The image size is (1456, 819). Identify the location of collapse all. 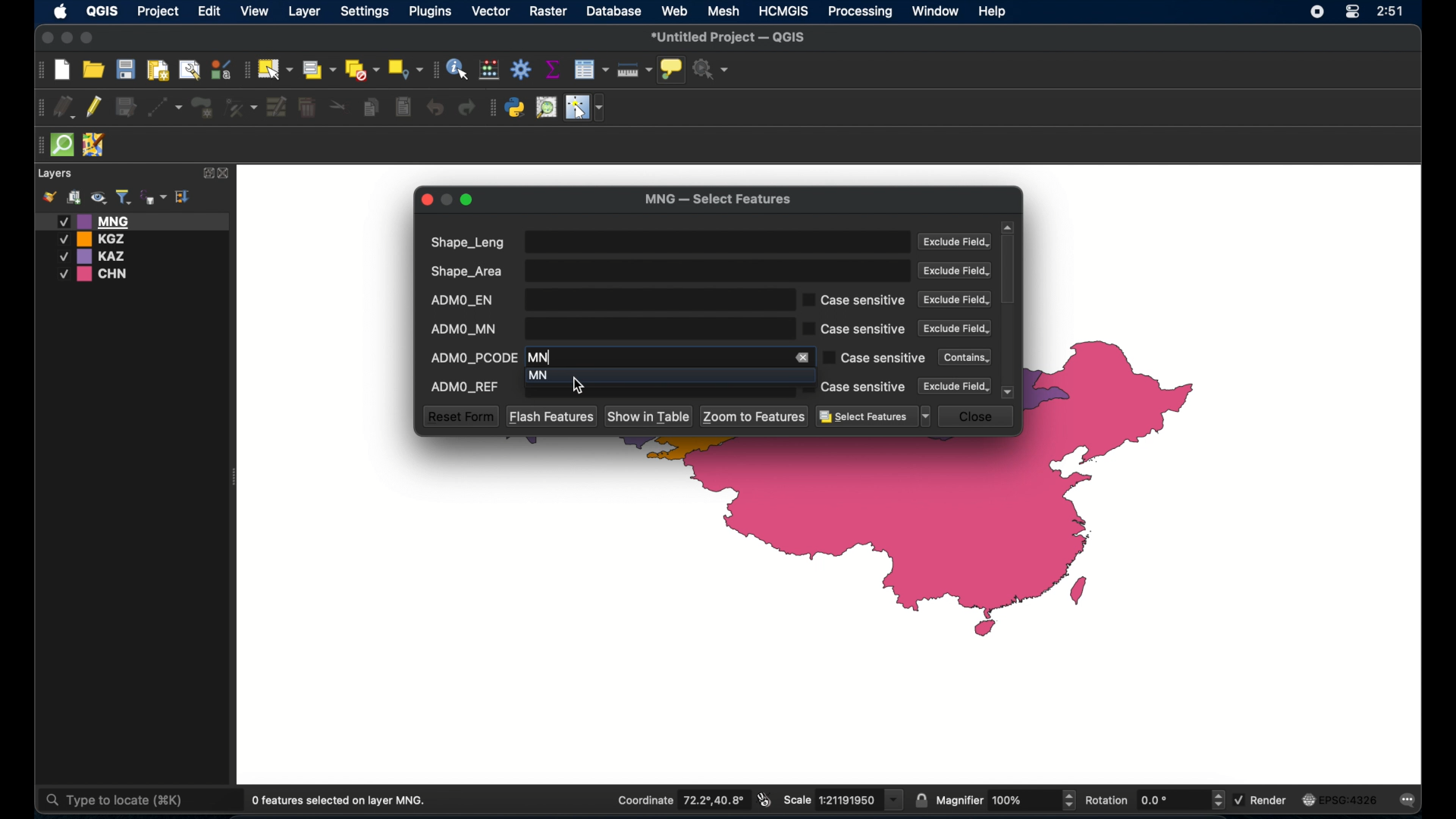
(184, 196).